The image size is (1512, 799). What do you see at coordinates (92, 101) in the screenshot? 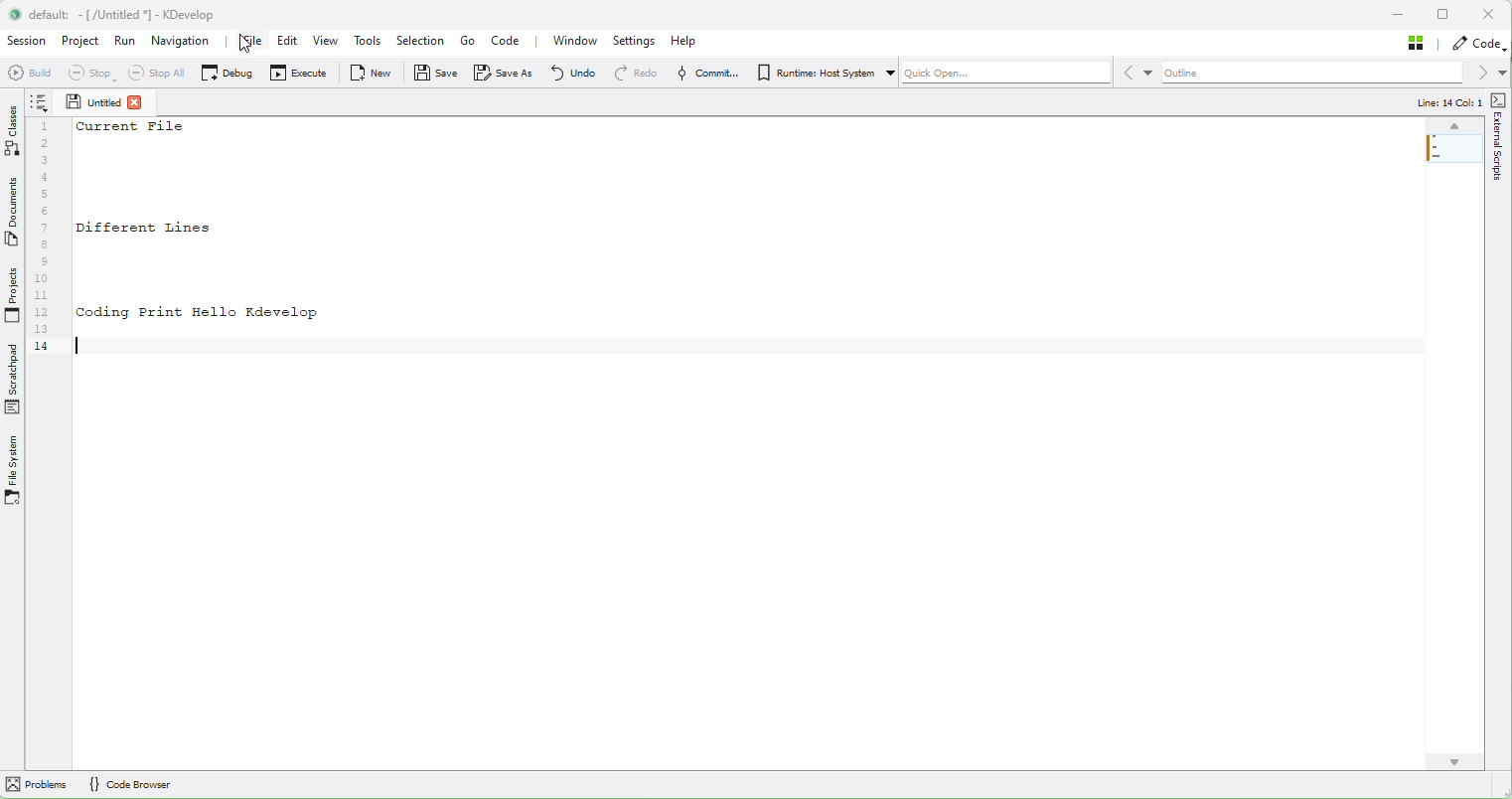
I see `Untitled` at bounding box center [92, 101].